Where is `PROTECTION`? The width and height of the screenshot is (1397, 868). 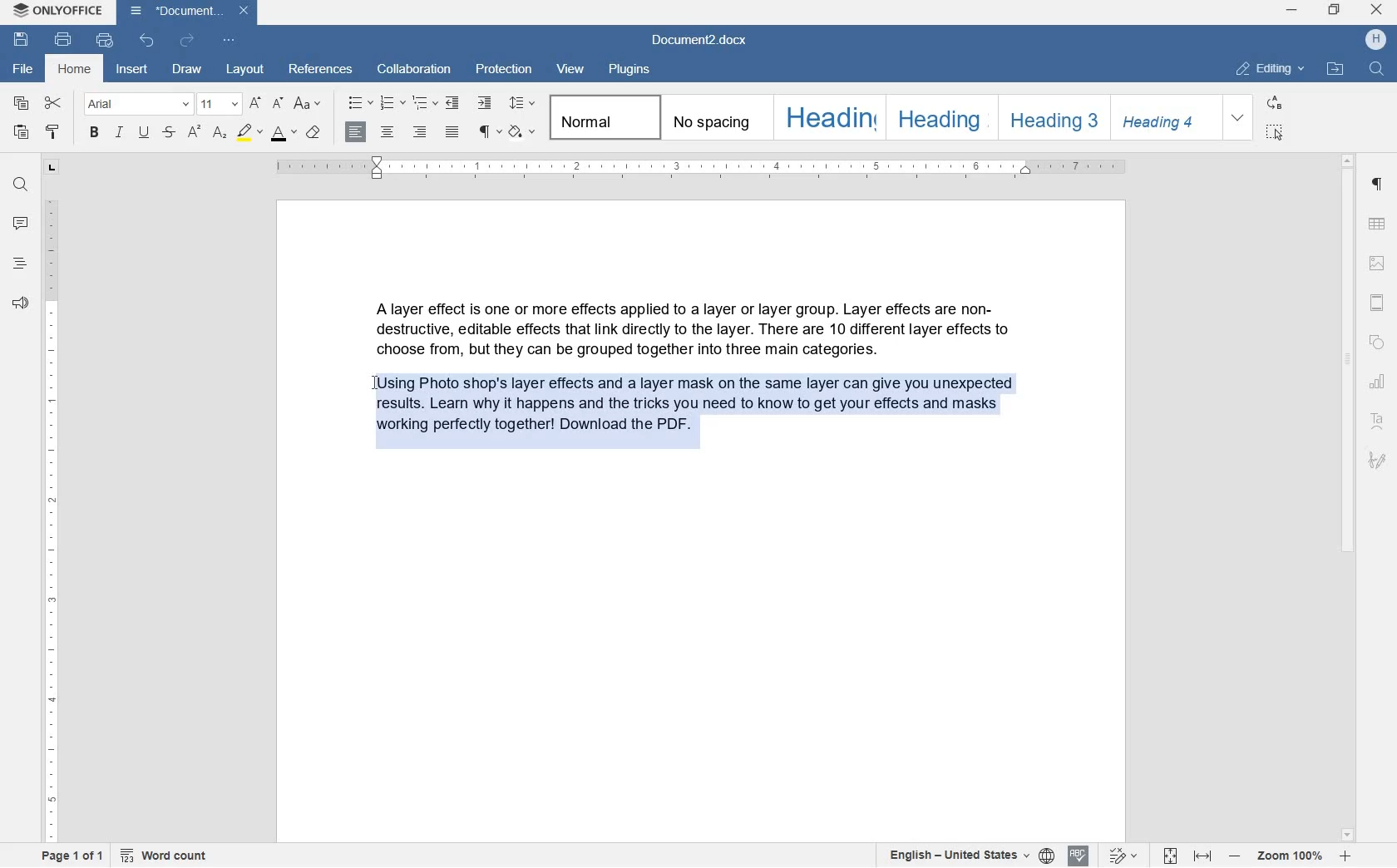
PROTECTION is located at coordinates (504, 70).